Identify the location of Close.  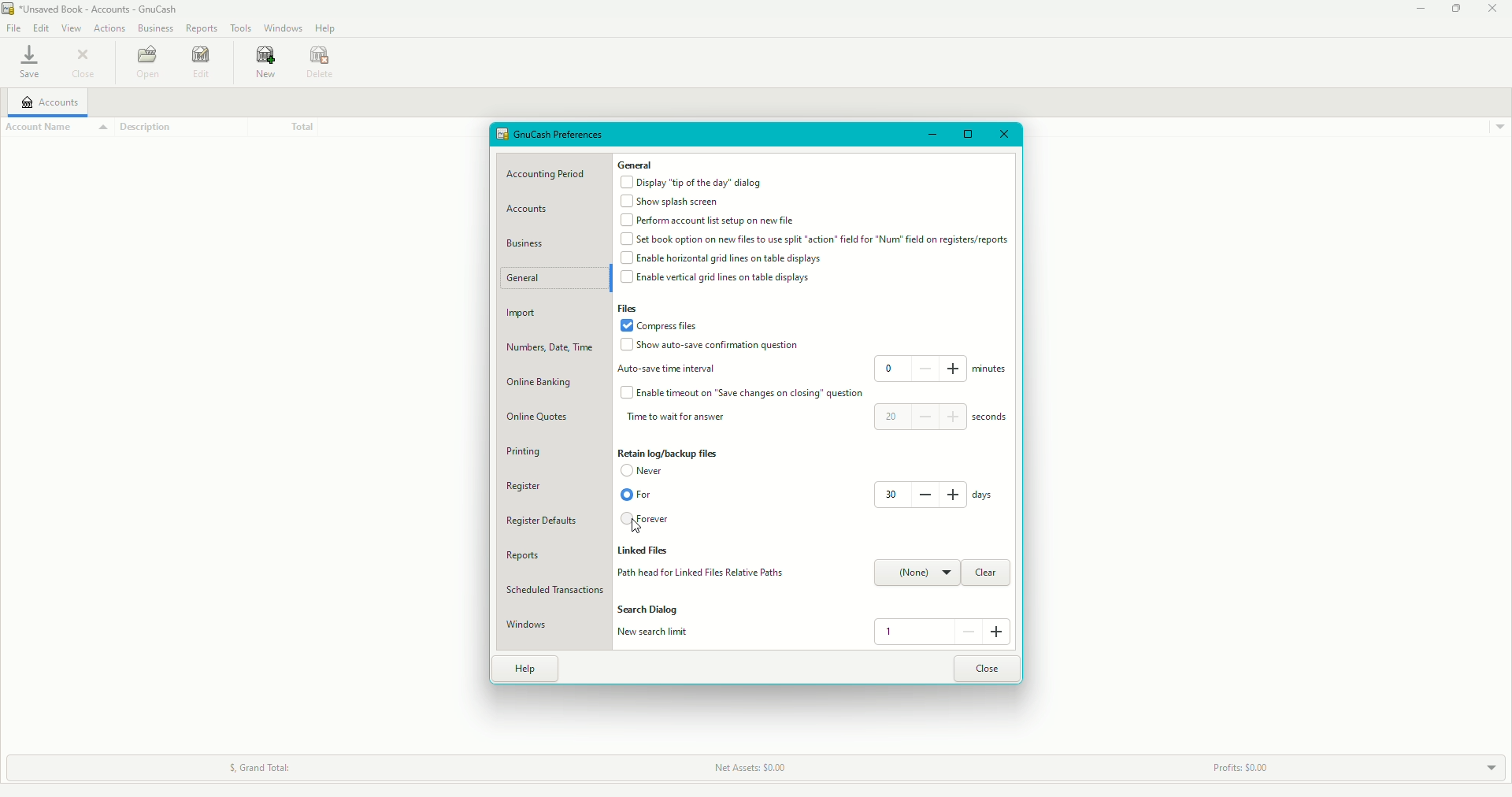
(1493, 9).